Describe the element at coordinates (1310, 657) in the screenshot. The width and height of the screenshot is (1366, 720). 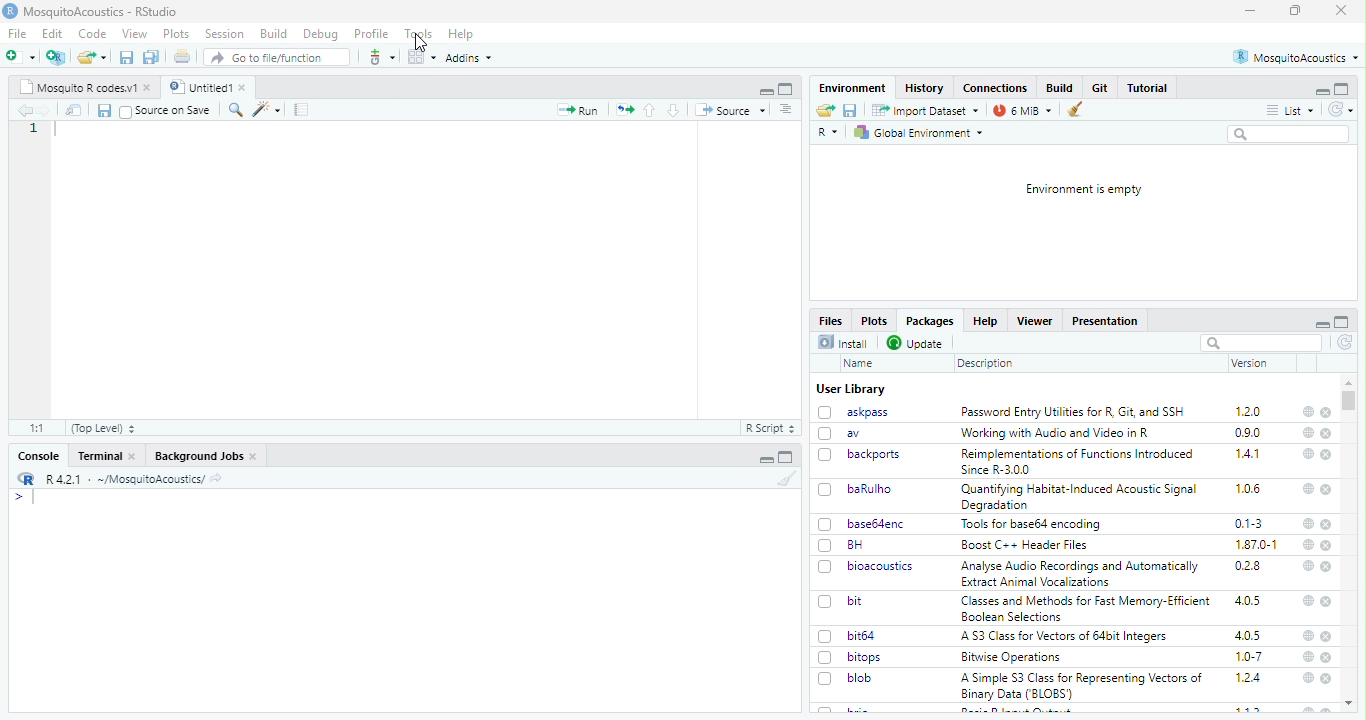
I see `web` at that location.